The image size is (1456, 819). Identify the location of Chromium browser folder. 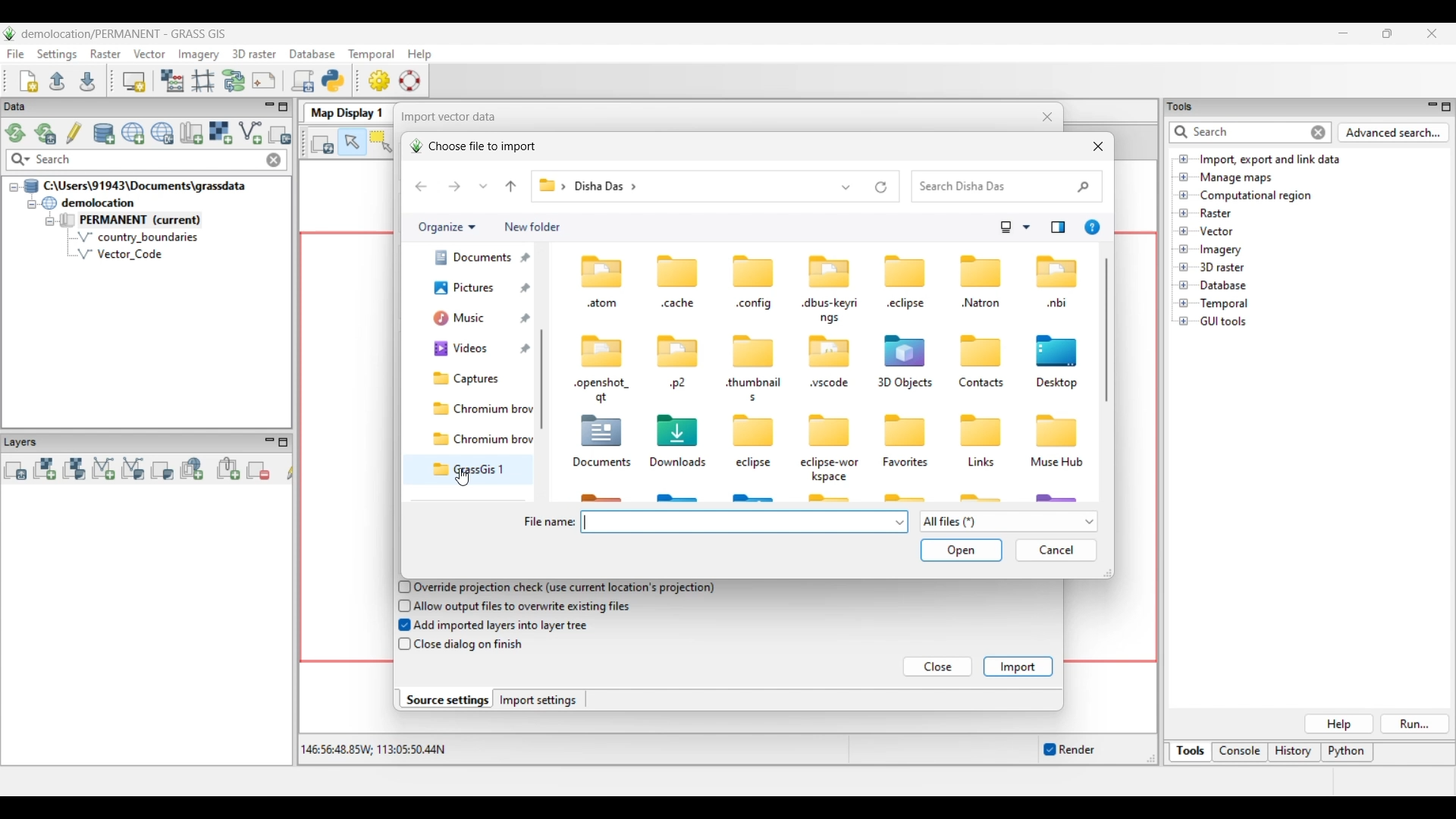
(479, 409).